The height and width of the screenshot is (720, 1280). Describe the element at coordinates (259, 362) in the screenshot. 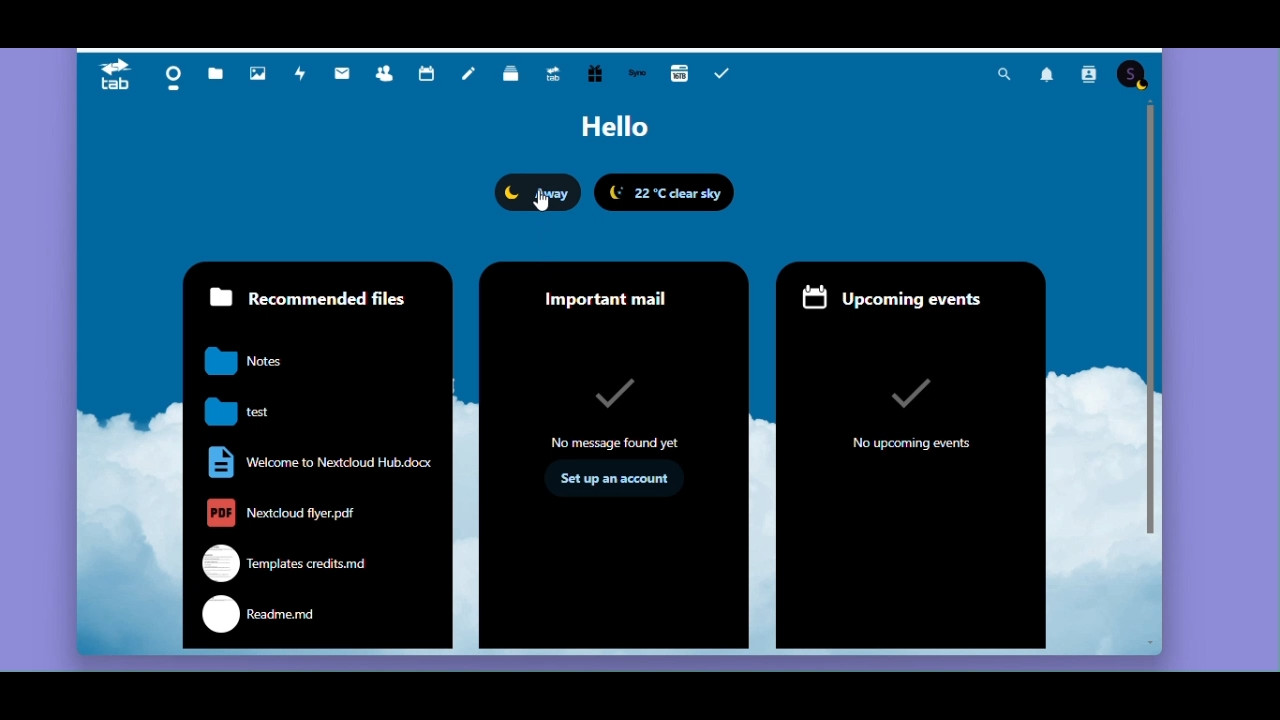

I see `notes` at that location.